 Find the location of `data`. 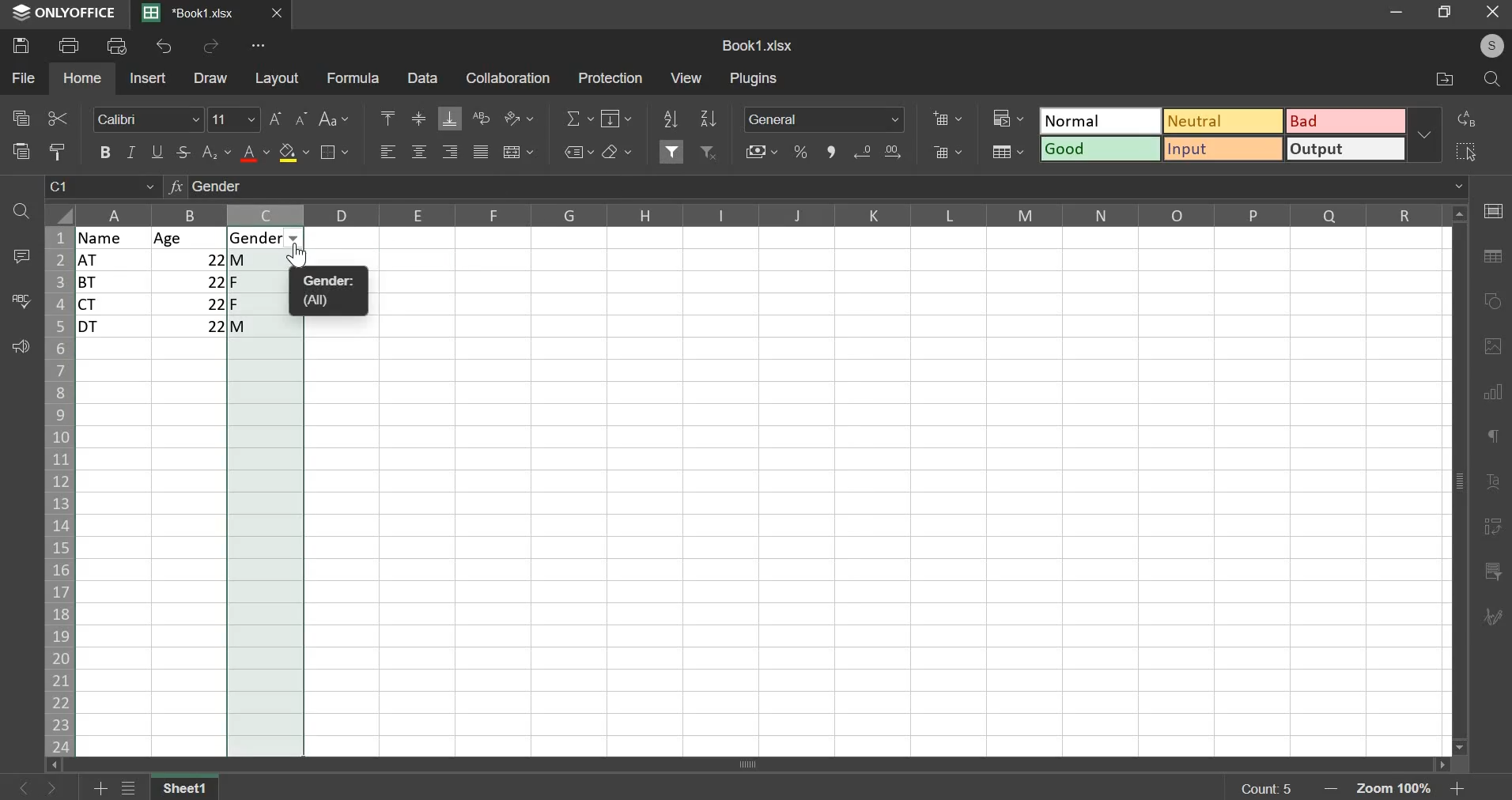

data is located at coordinates (421, 77).